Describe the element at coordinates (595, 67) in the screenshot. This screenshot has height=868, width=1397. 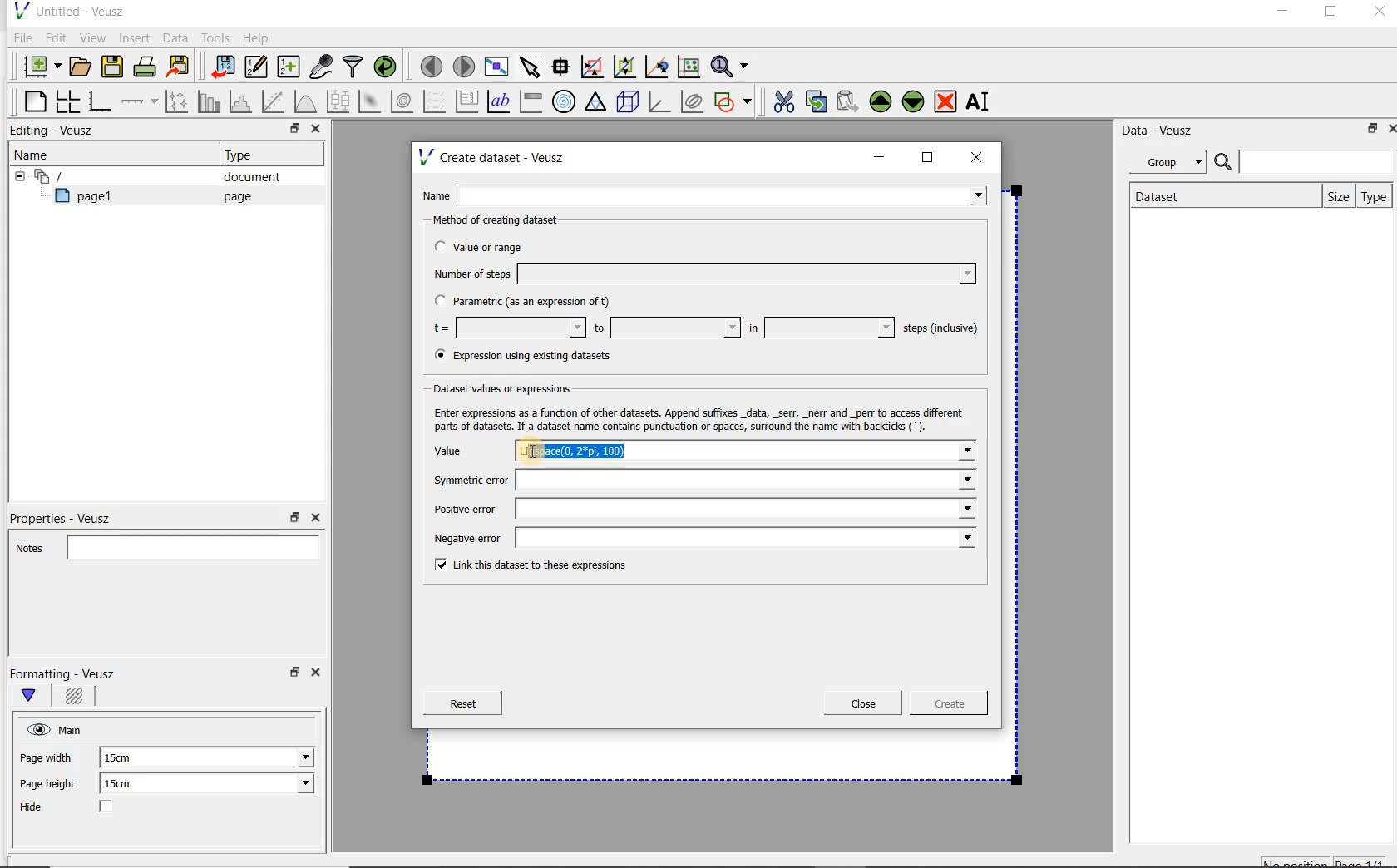
I see `click or draw a rectangle to zoom graph axes` at that location.